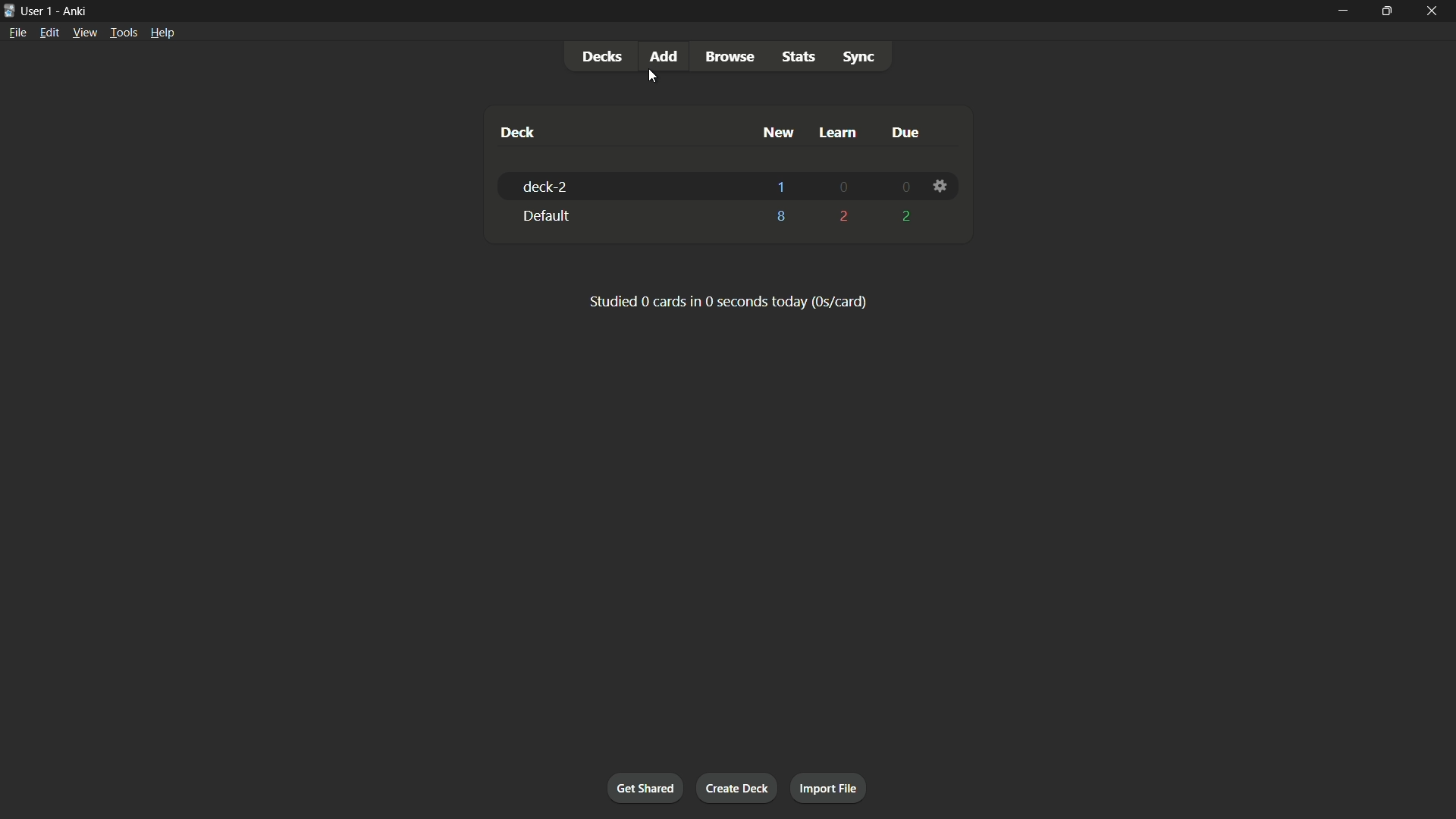  Describe the element at coordinates (600, 56) in the screenshot. I see `decks` at that location.